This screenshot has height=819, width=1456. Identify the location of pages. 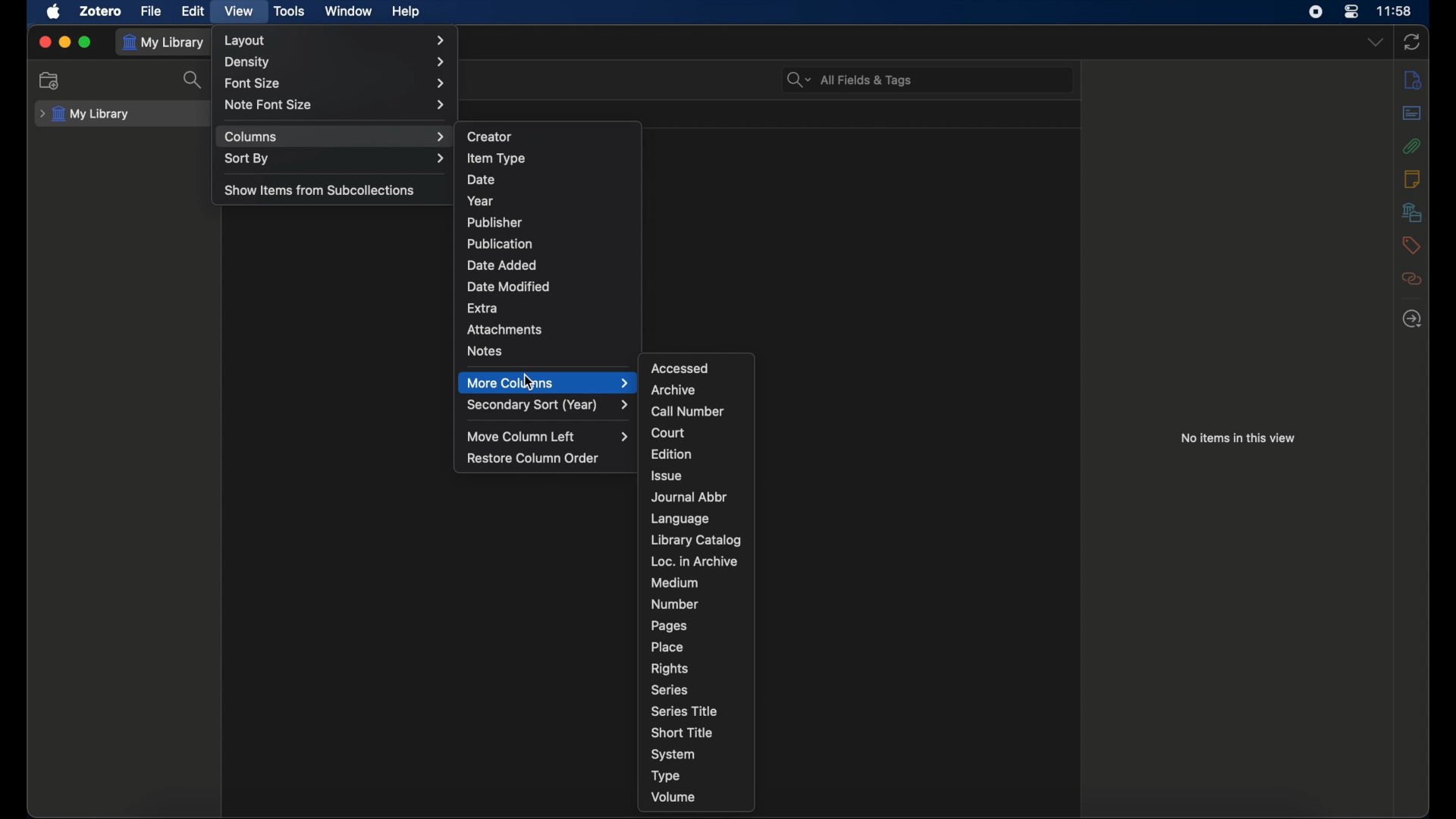
(670, 625).